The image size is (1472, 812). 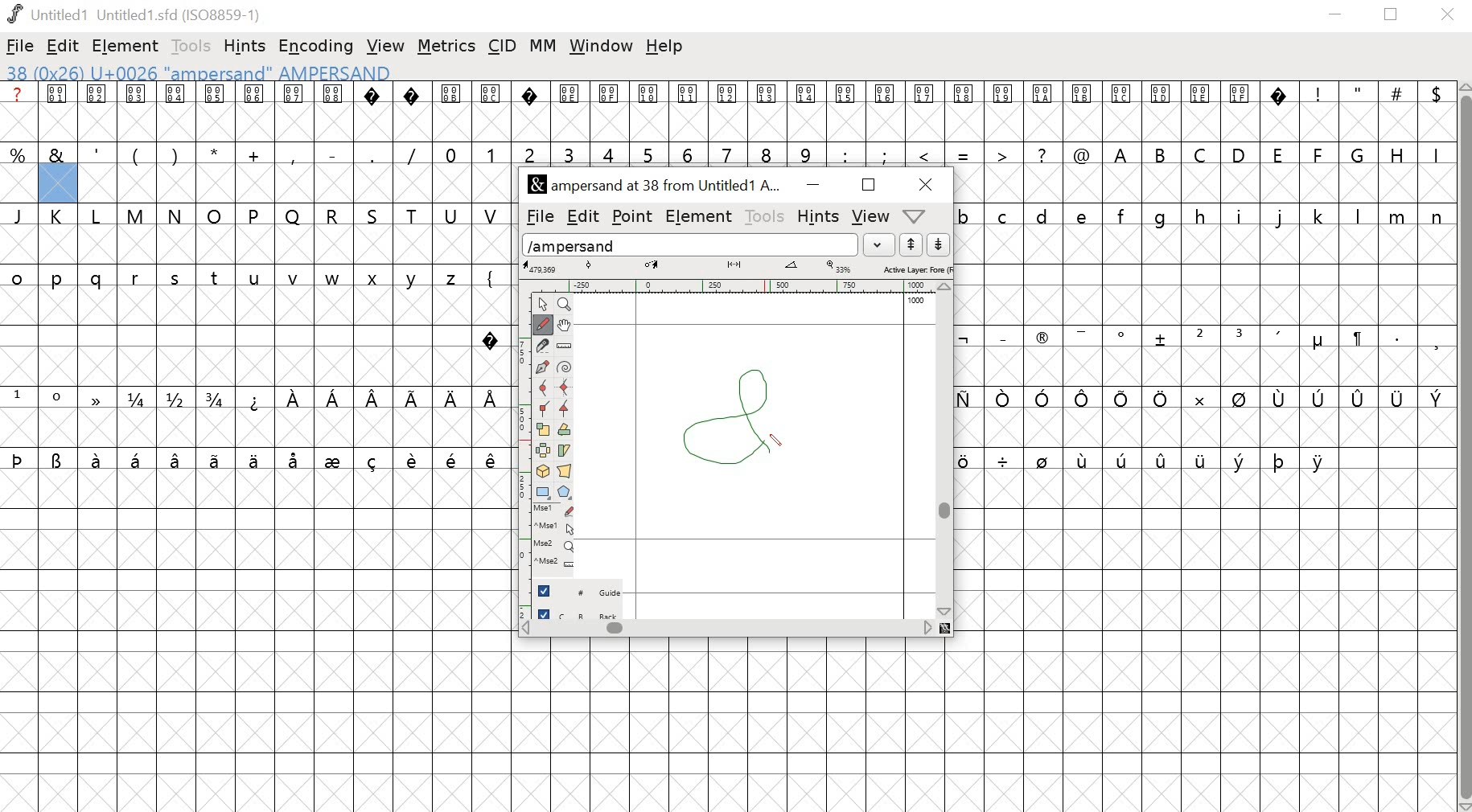 I want to click on 0017, so click(x=925, y=112).